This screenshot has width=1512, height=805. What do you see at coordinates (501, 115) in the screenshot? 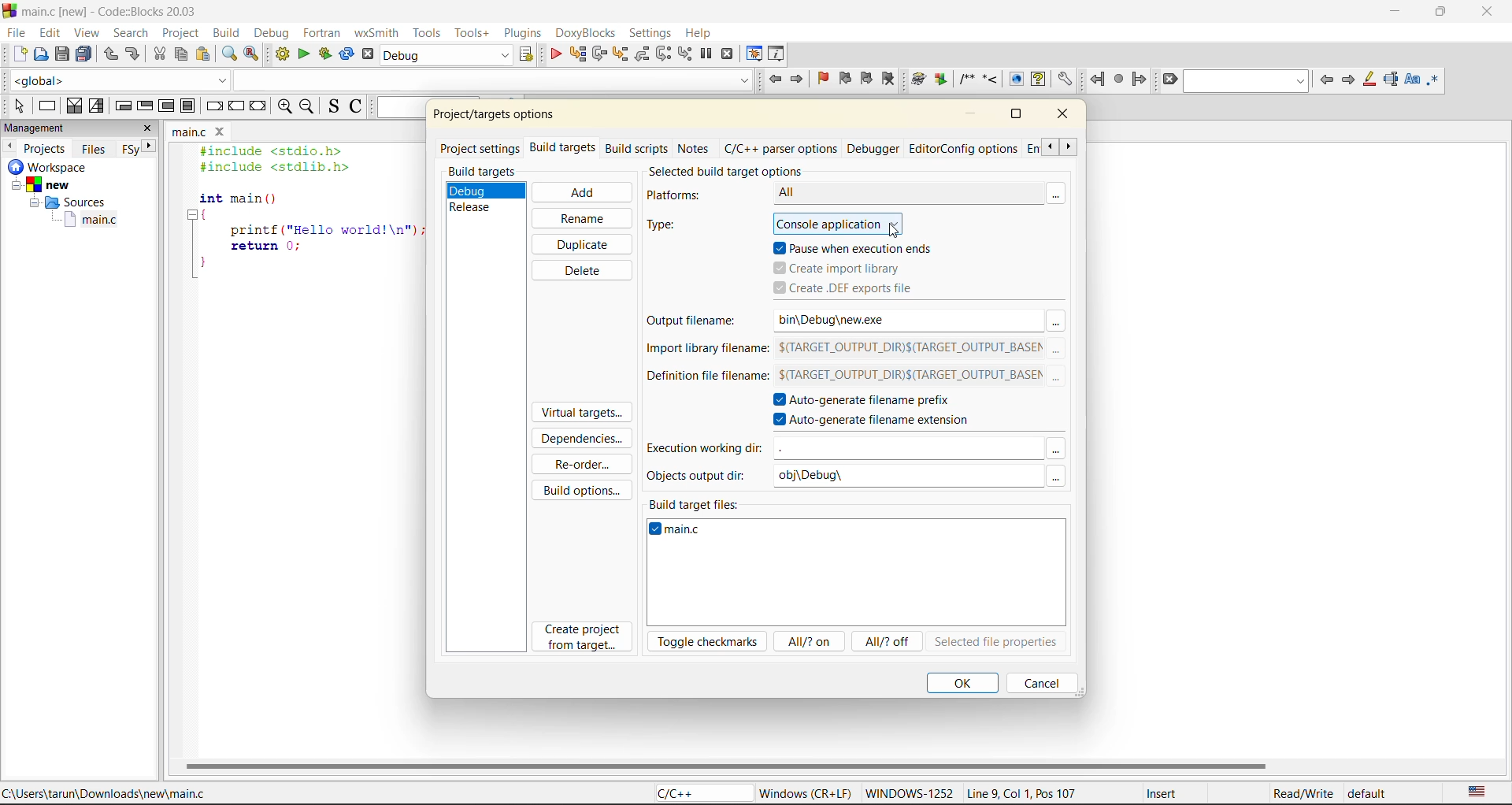
I see `project/target  options` at bounding box center [501, 115].